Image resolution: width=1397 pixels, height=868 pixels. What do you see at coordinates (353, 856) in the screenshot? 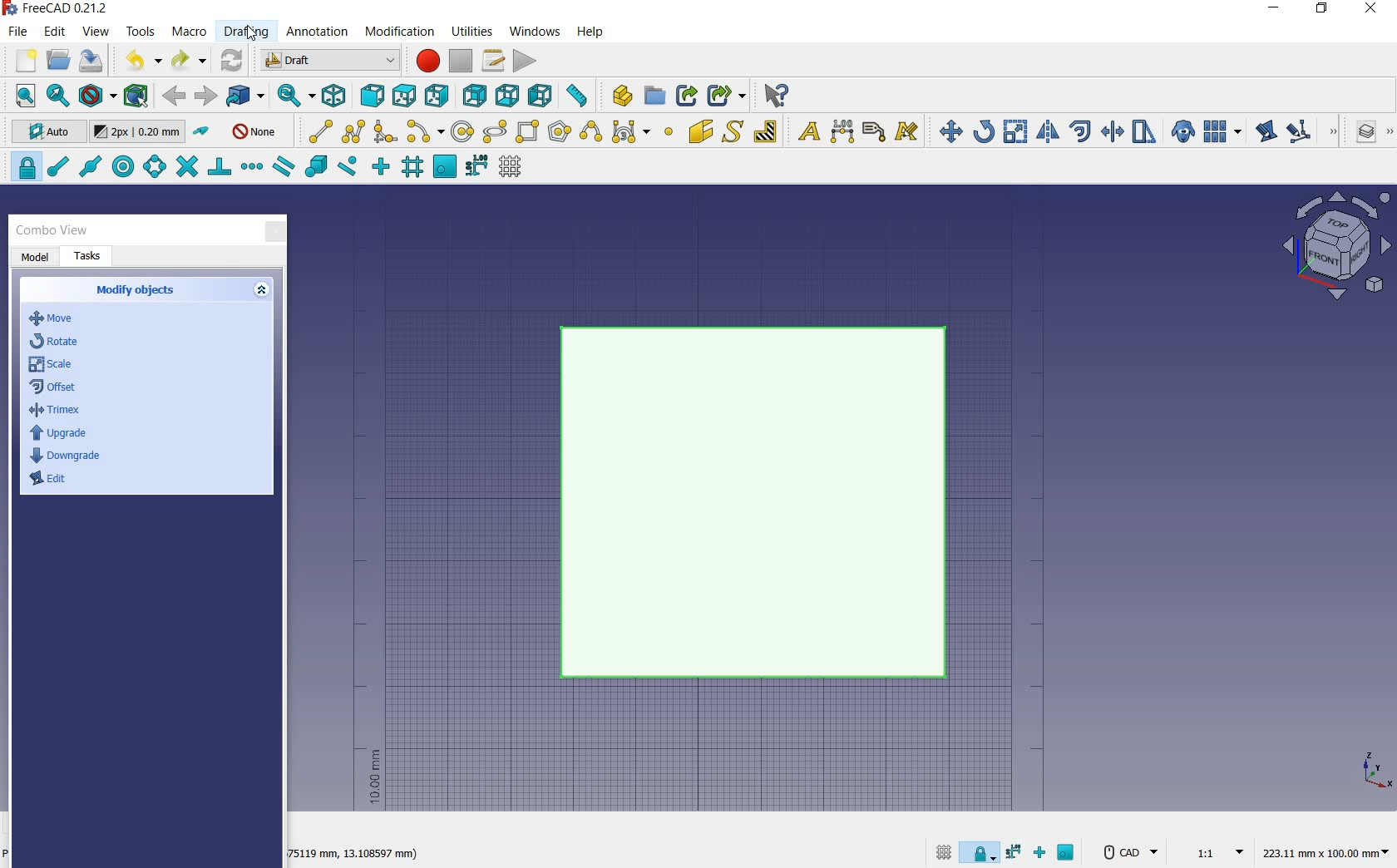
I see `dimension` at bounding box center [353, 856].